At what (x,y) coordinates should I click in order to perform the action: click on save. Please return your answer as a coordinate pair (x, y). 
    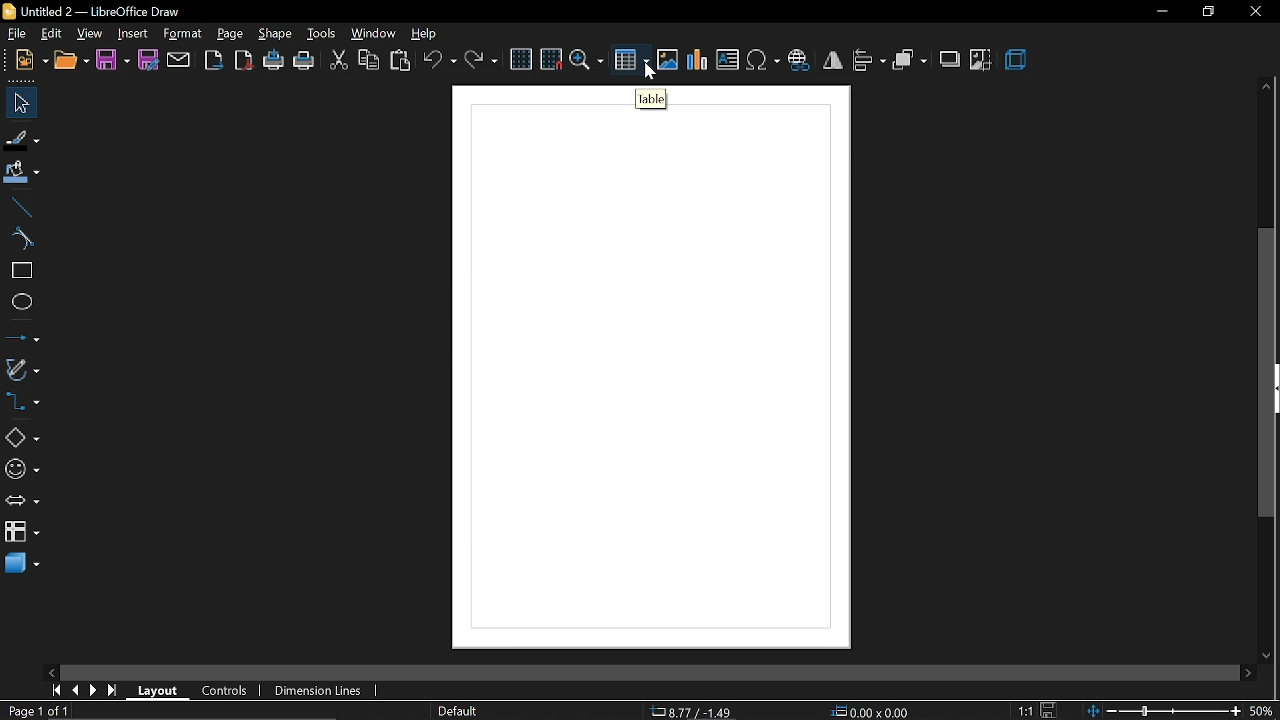
    Looking at the image, I should click on (1046, 710).